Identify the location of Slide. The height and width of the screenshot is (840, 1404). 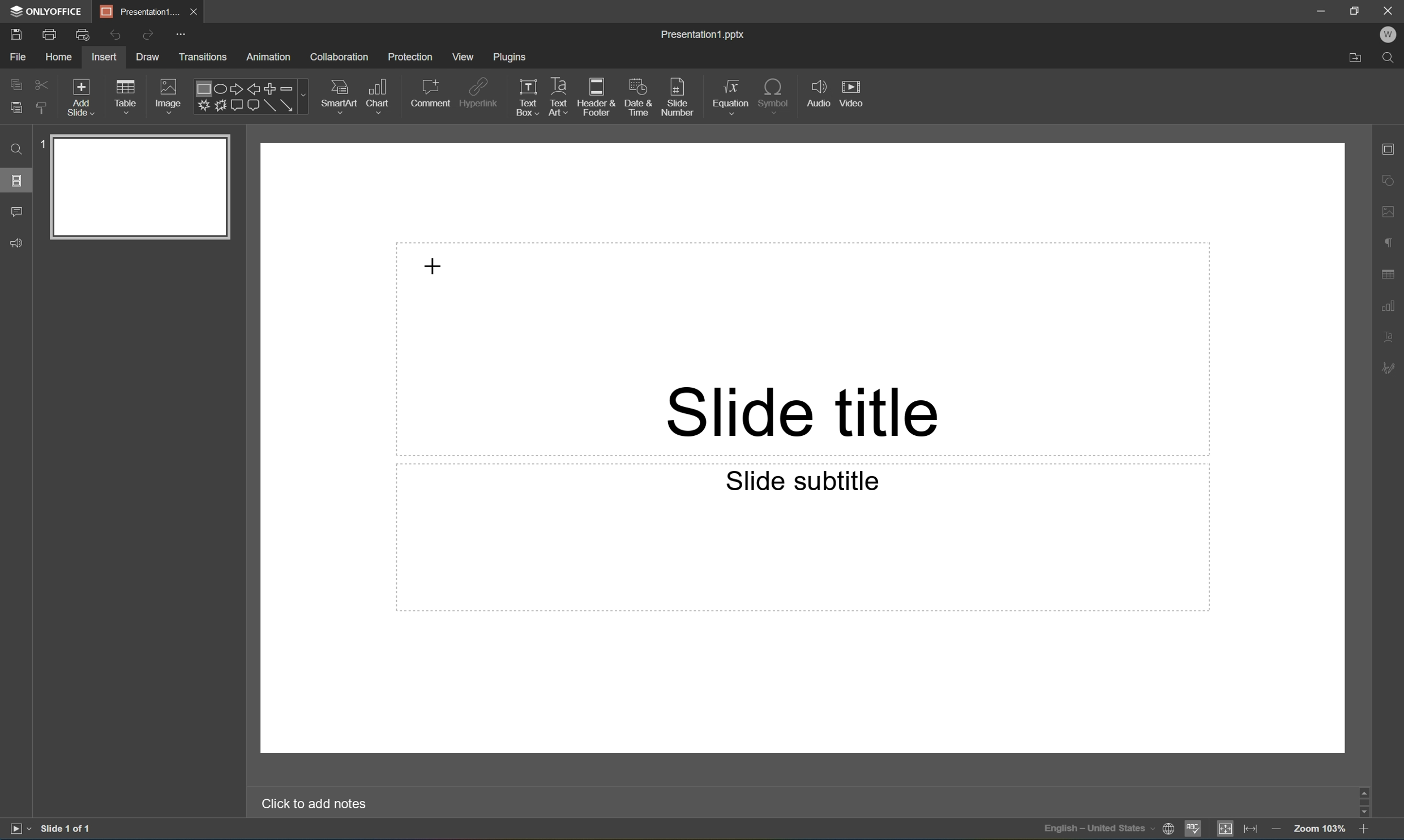
(140, 187).